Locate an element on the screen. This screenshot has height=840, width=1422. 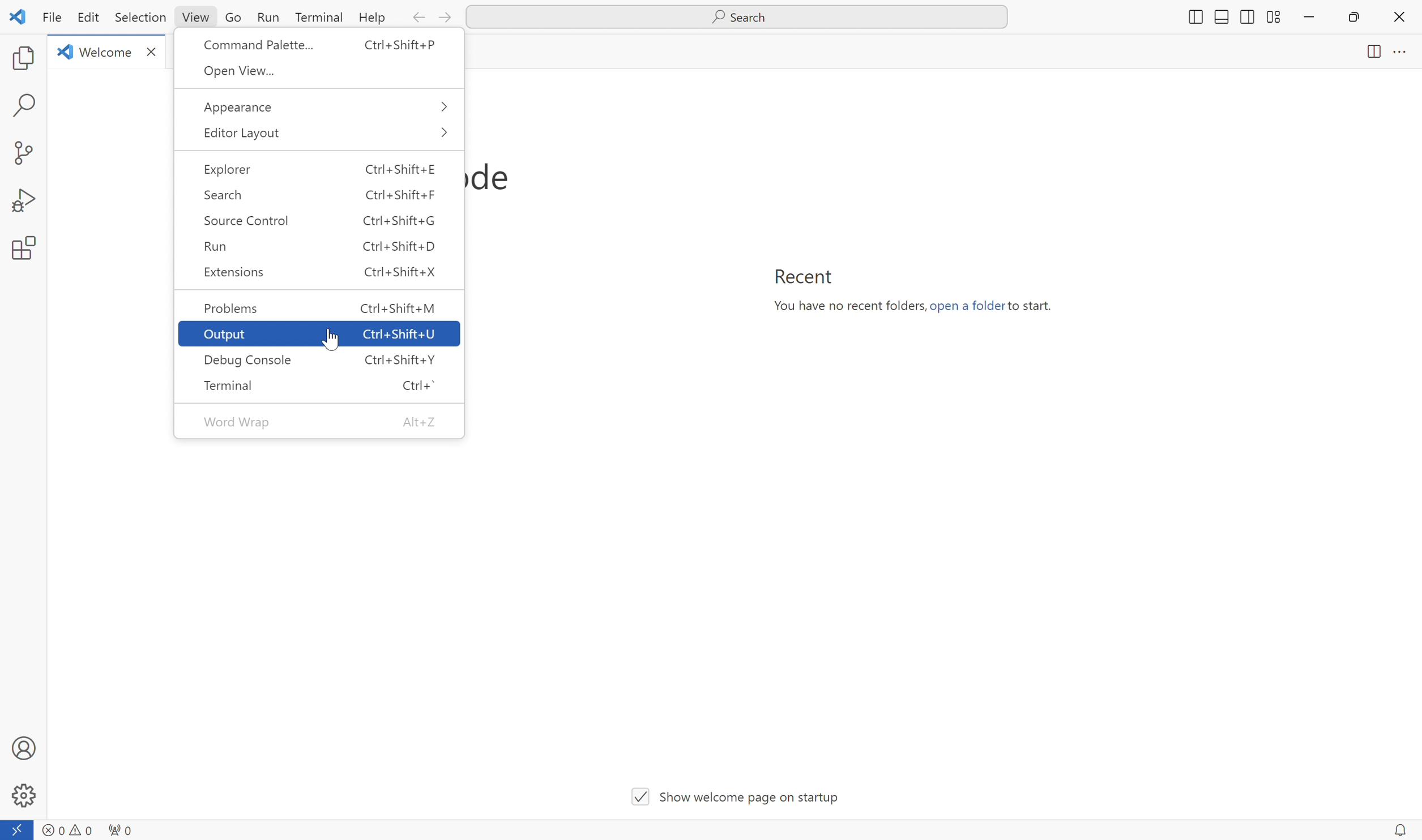
new project is located at coordinates (26, 148).